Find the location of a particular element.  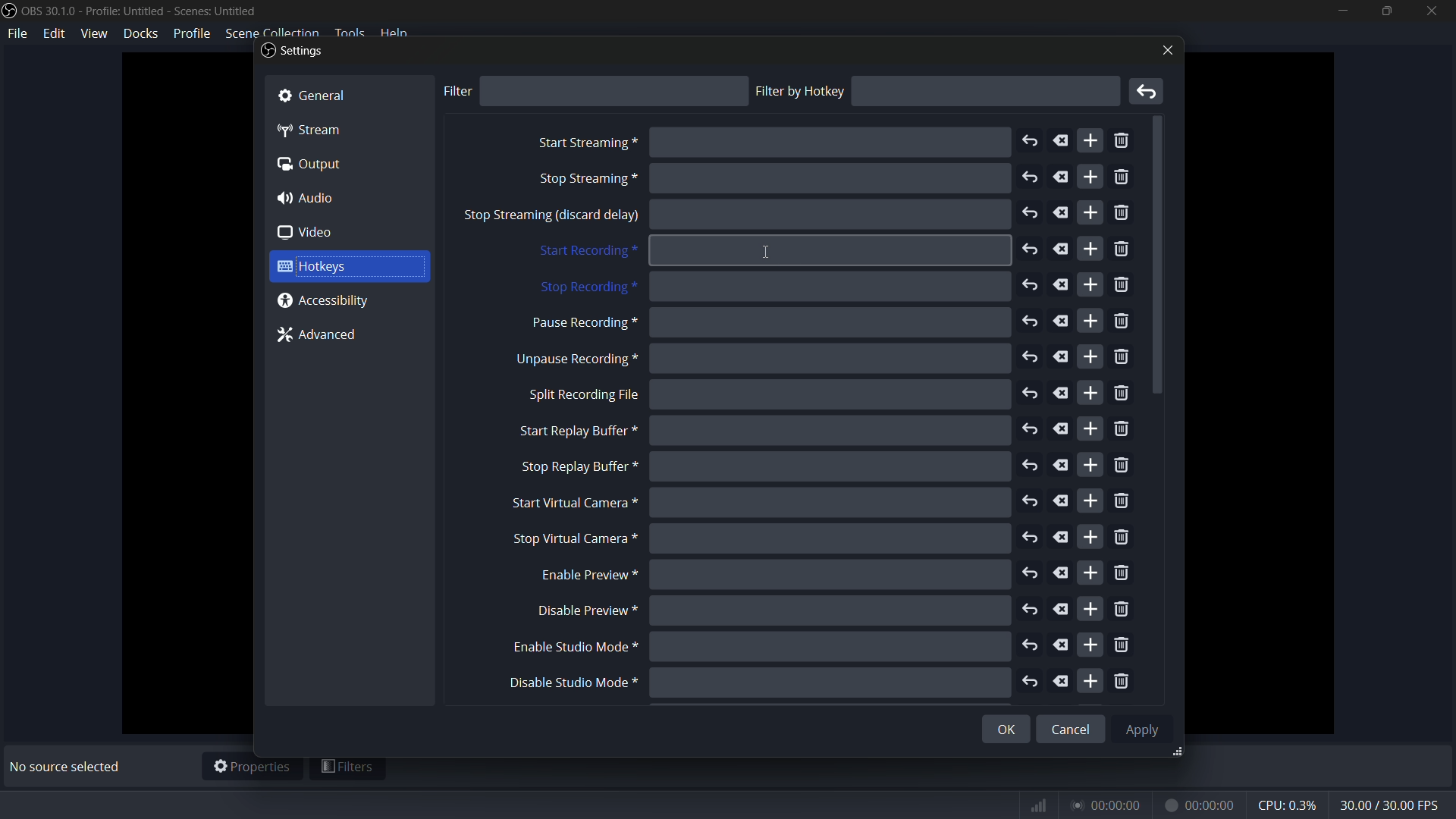

remove is located at coordinates (1122, 682).